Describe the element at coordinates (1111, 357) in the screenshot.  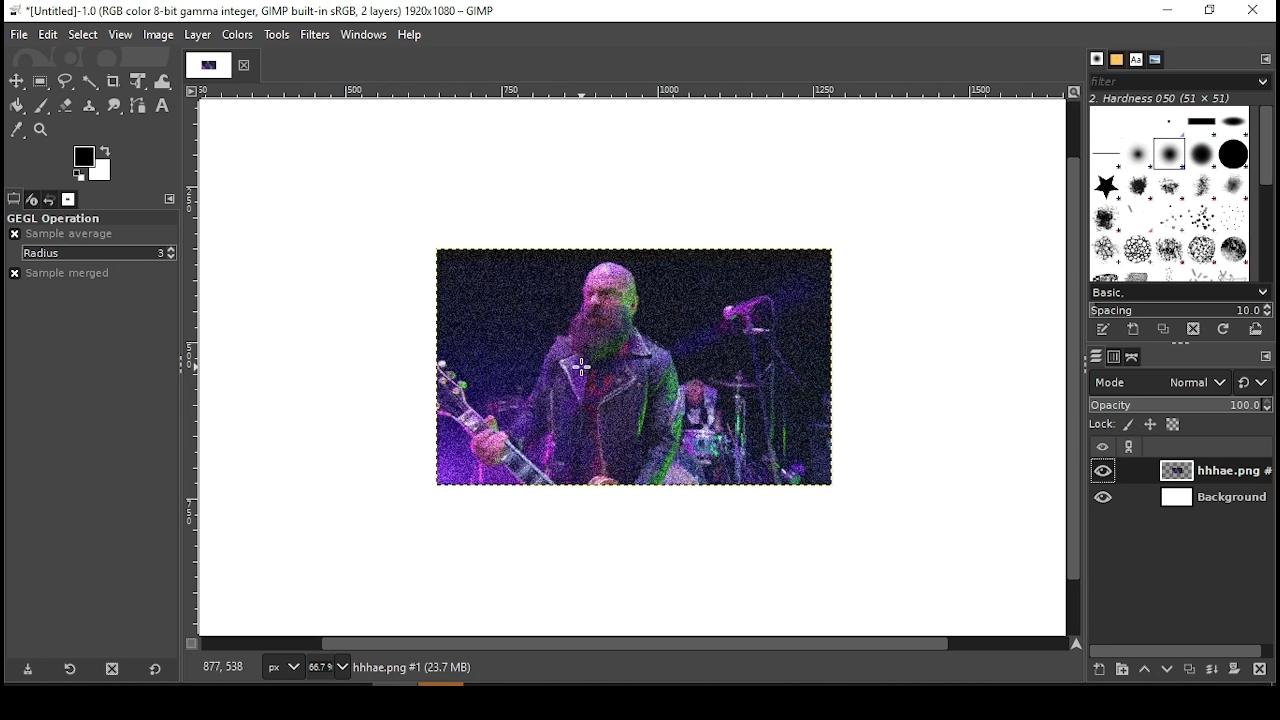
I see `channels` at that location.